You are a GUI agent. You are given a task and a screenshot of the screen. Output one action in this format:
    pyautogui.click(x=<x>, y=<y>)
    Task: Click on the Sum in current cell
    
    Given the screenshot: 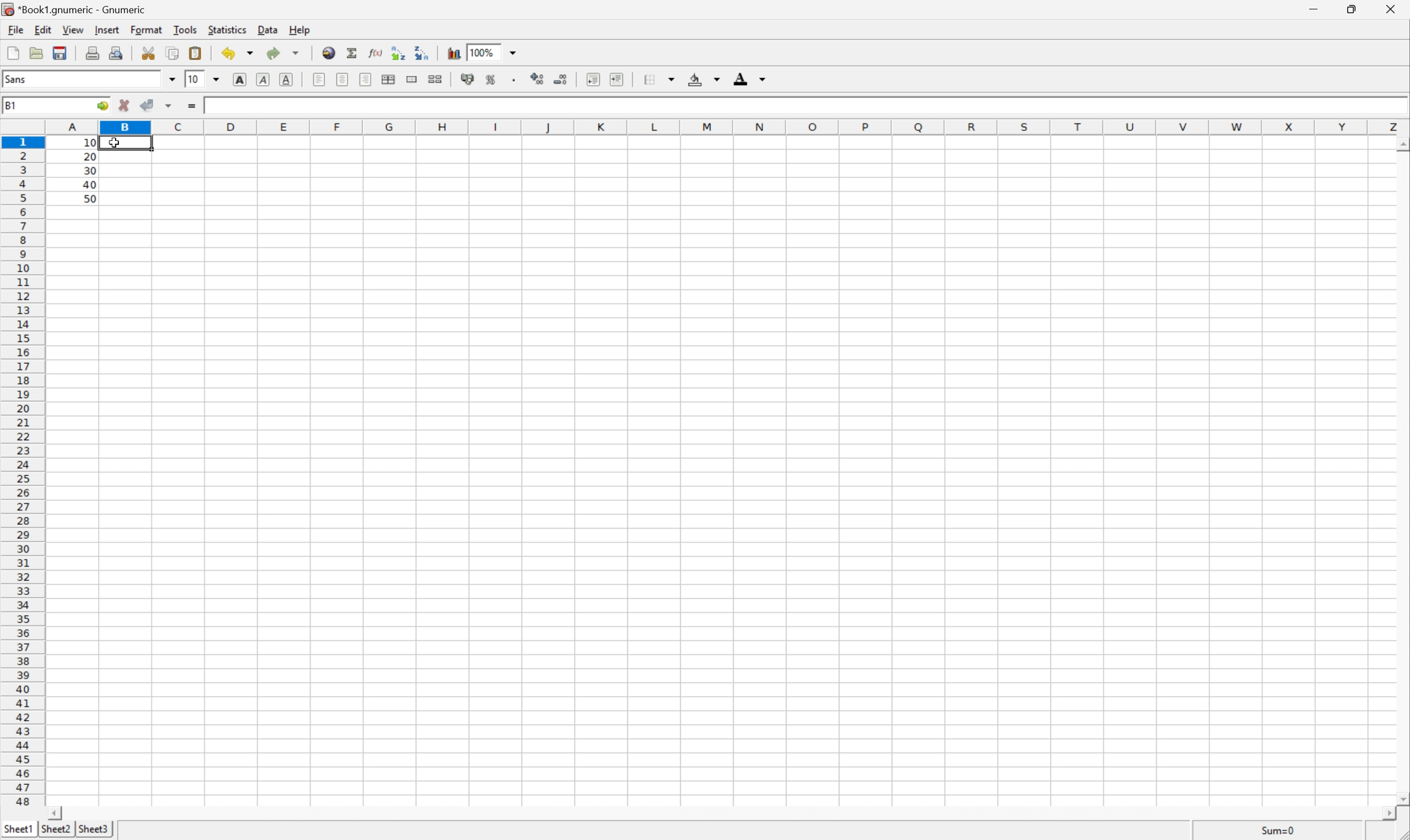 What is the action you would take?
    pyautogui.click(x=353, y=52)
    